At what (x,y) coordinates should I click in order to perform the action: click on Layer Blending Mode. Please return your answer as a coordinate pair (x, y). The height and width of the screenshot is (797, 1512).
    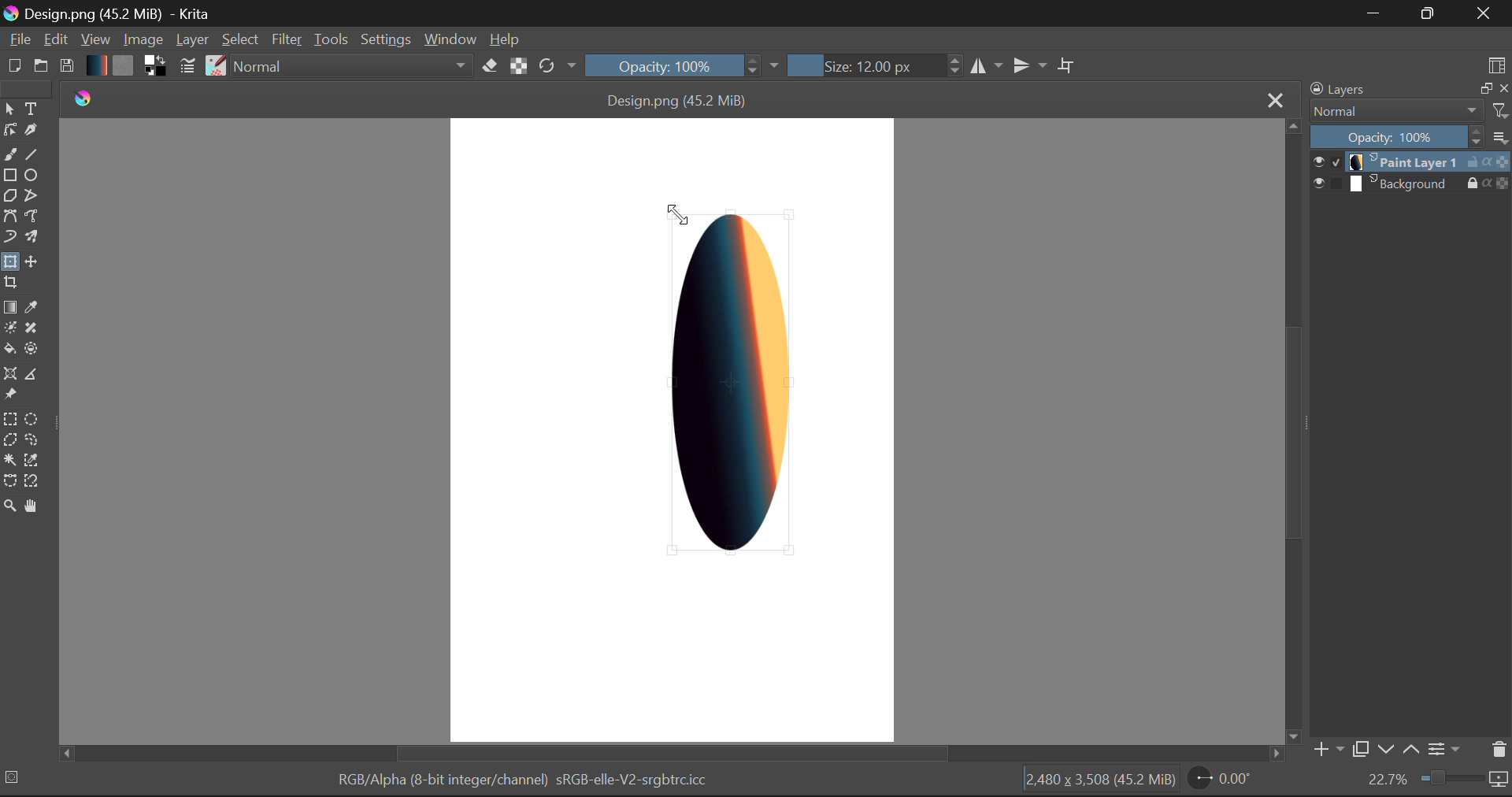
    Looking at the image, I should click on (1409, 112).